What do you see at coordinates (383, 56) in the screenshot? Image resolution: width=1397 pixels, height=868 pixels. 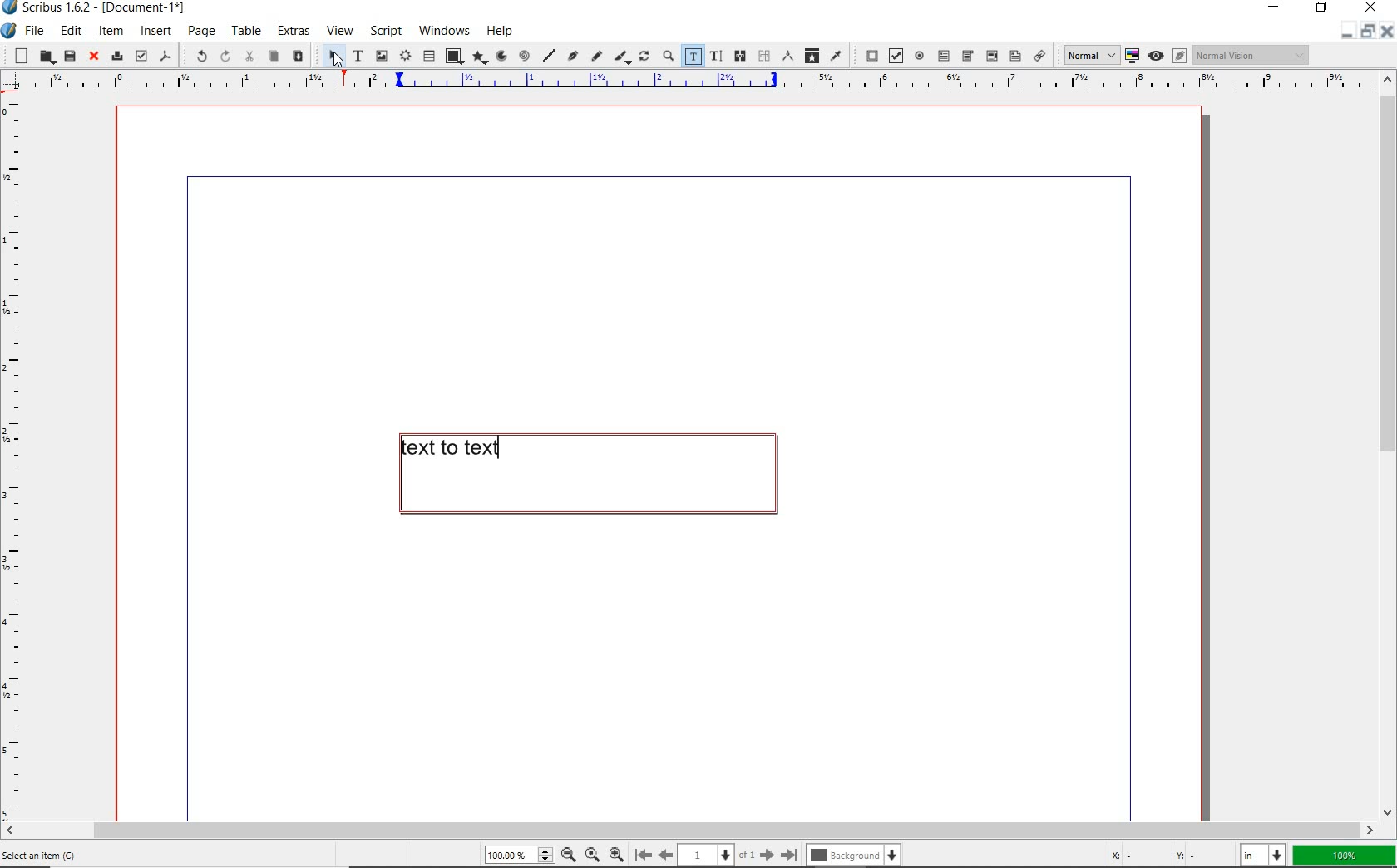 I see `image frame` at bounding box center [383, 56].